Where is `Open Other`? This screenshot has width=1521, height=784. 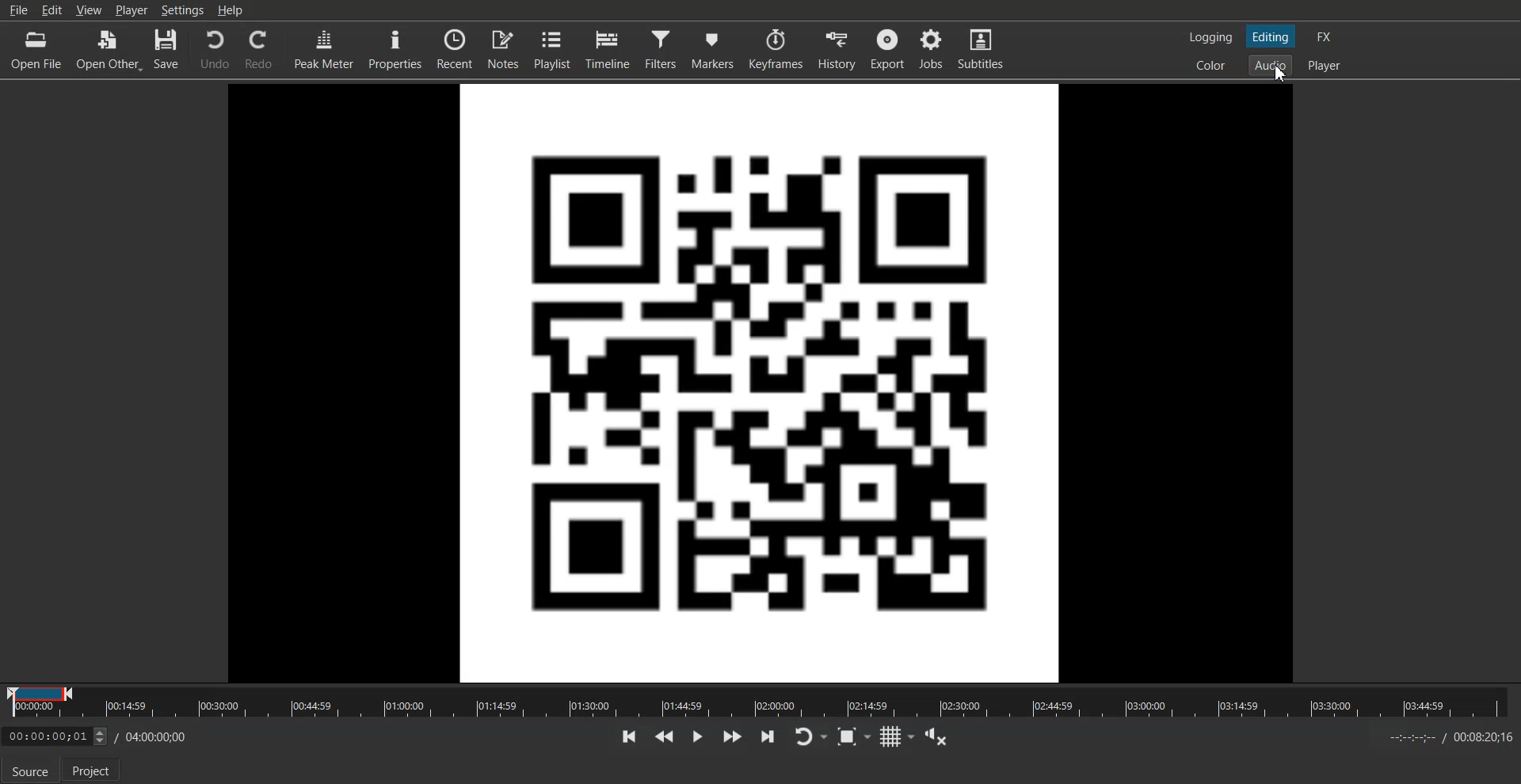
Open Other is located at coordinates (110, 49).